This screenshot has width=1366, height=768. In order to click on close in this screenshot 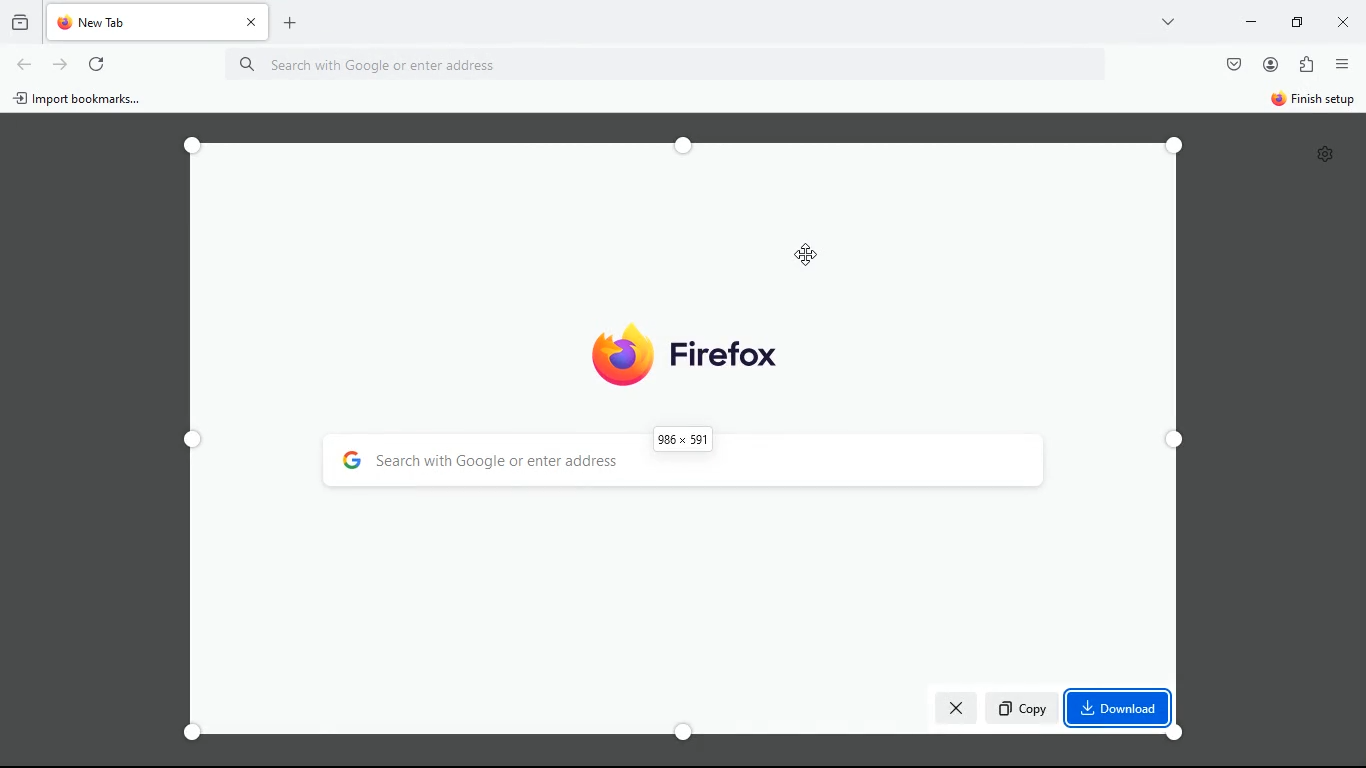, I will do `click(1340, 21)`.